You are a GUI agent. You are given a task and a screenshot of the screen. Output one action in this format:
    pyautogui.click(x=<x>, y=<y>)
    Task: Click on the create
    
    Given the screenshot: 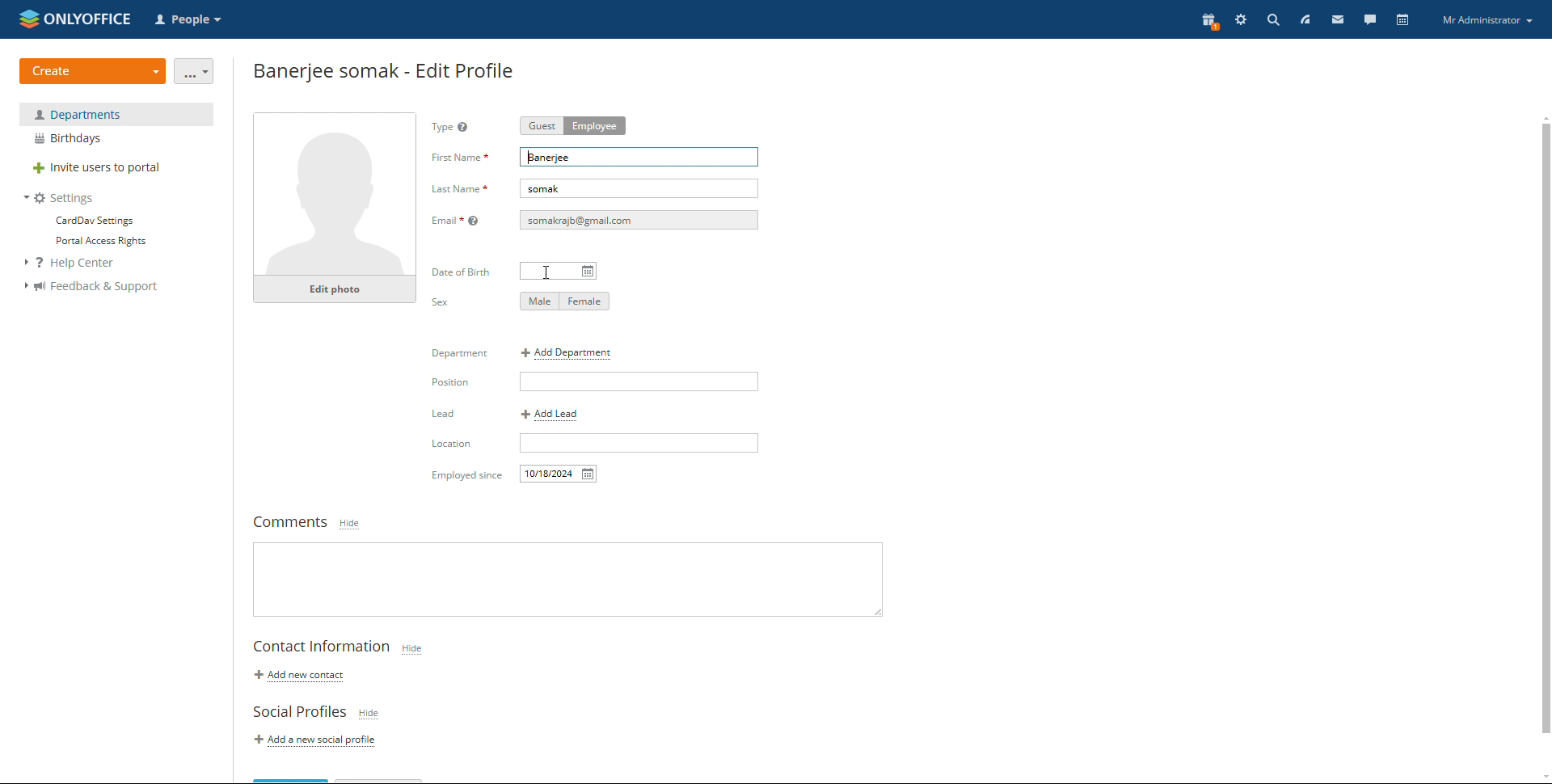 What is the action you would take?
    pyautogui.click(x=93, y=71)
    